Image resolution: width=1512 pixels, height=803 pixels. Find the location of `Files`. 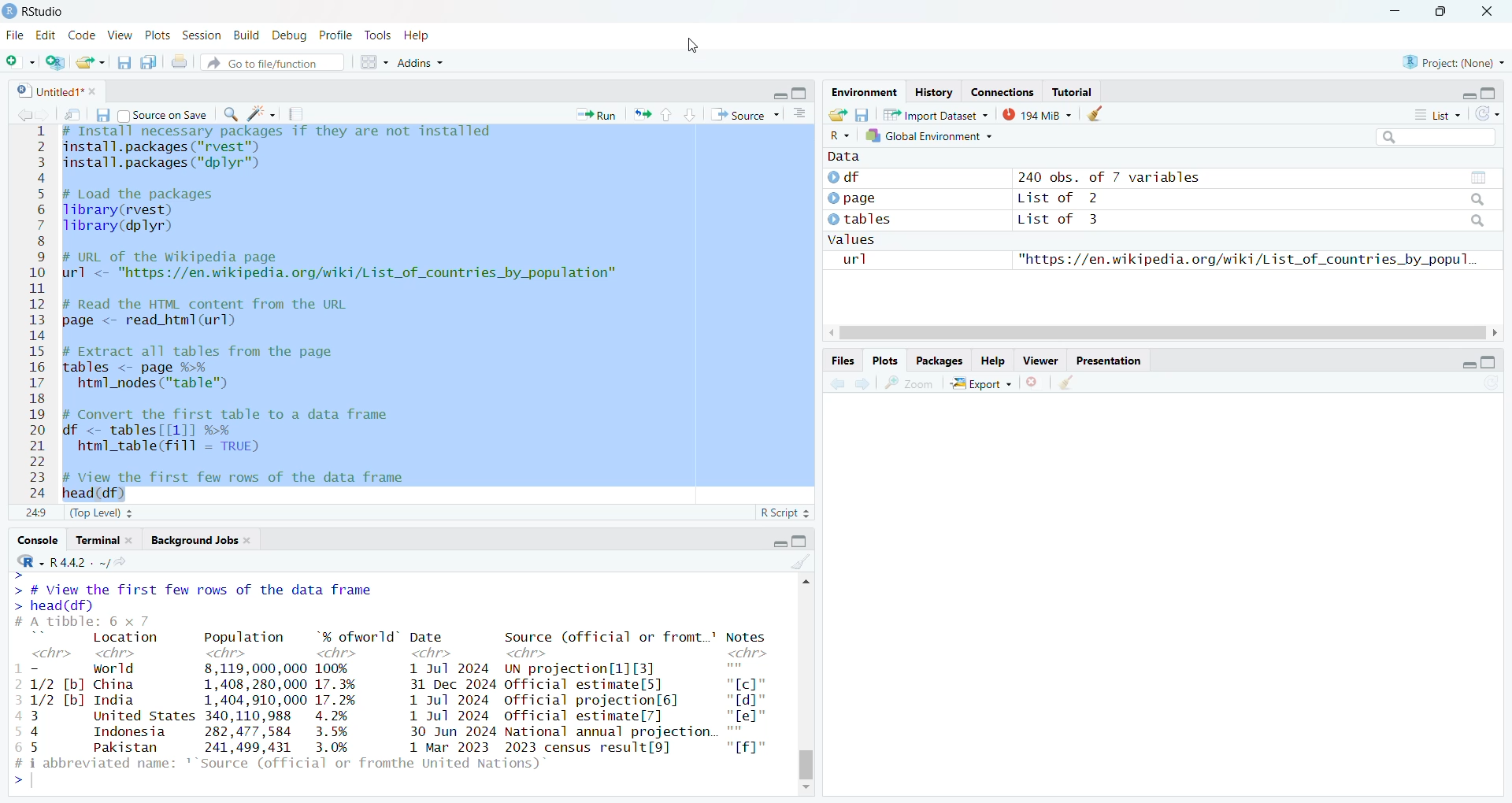

Files is located at coordinates (843, 361).